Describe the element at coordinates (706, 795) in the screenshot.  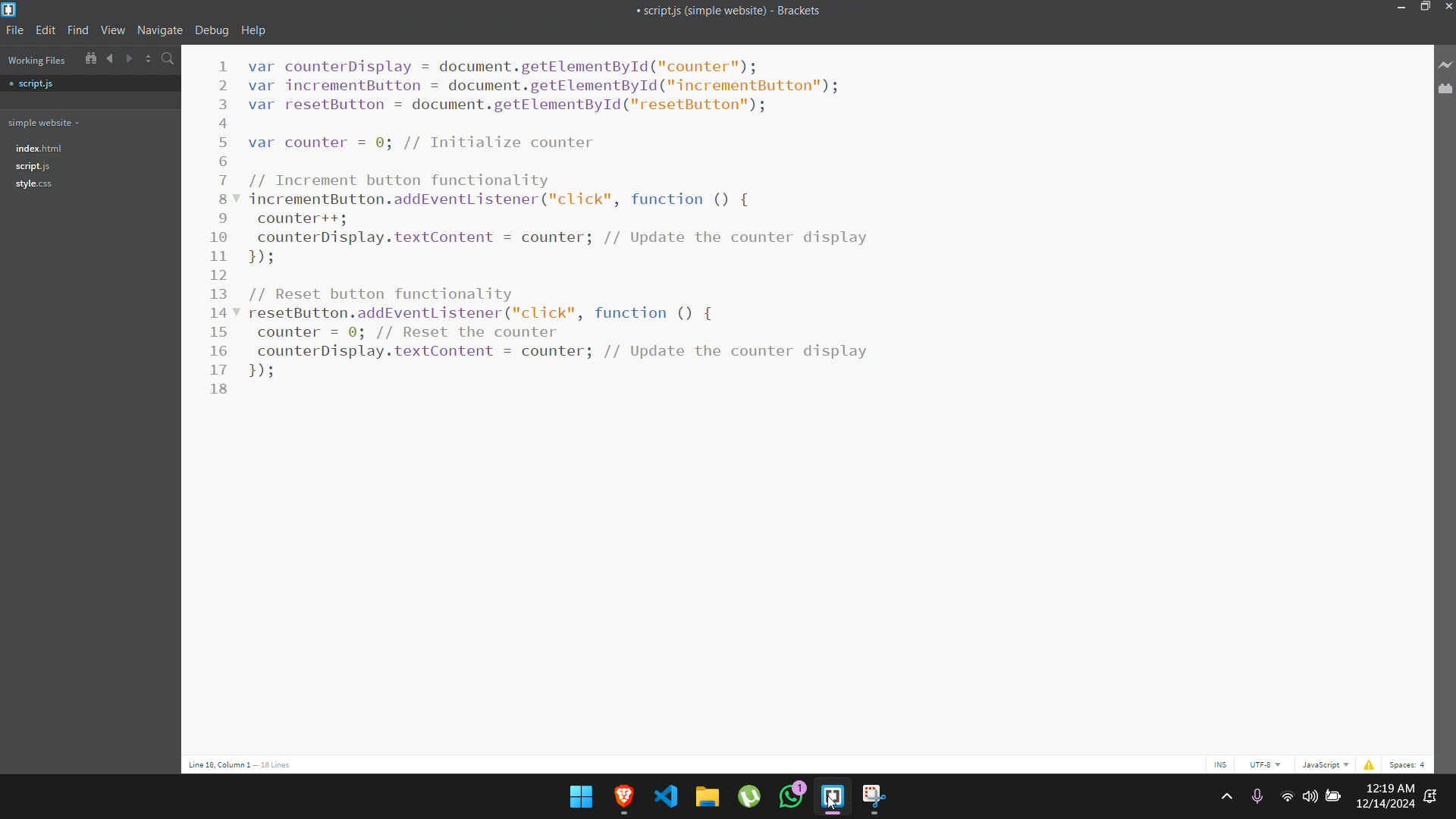
I see `file explorer` at that location.